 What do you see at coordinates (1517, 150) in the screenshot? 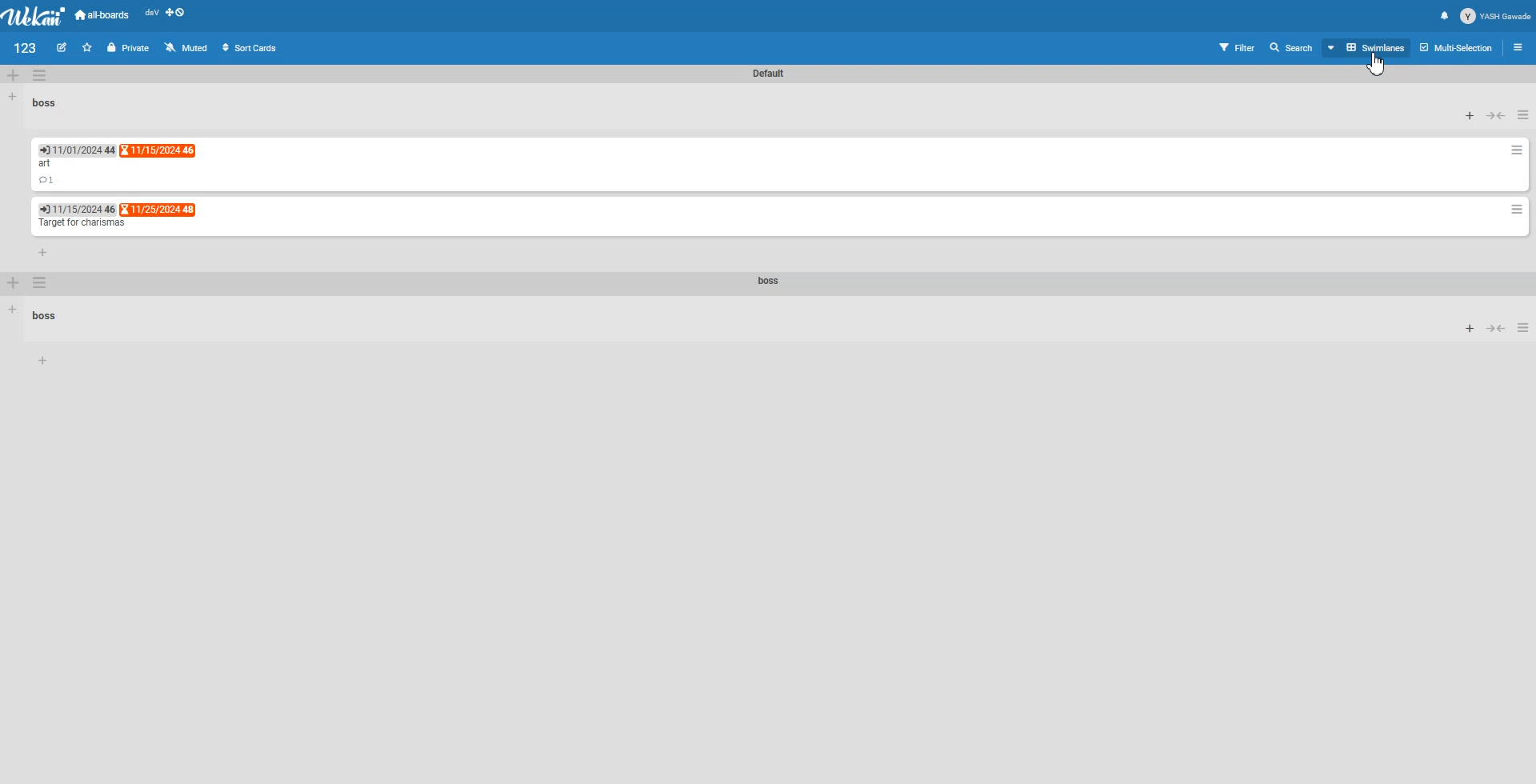
I see `Card Action` at bounding box center [1517, 150].